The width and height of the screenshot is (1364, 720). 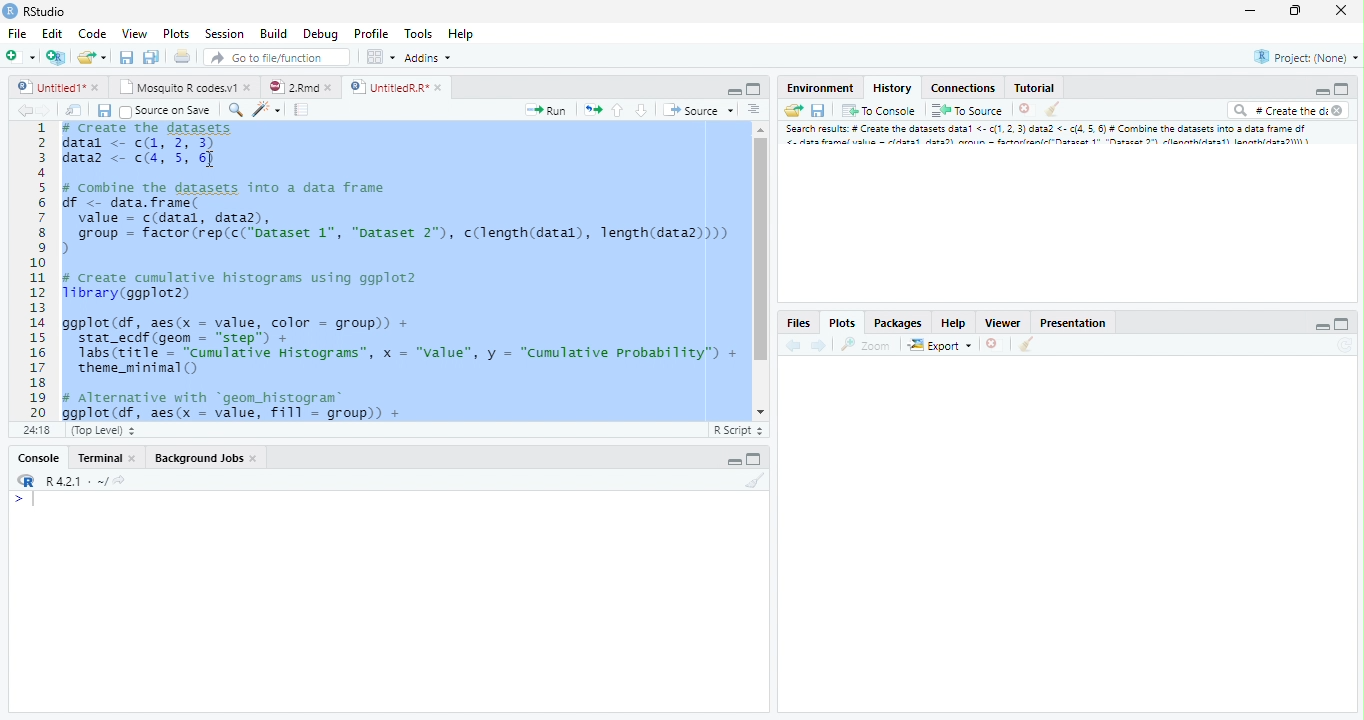 I want to click on Session, so click(x=227, y=34).